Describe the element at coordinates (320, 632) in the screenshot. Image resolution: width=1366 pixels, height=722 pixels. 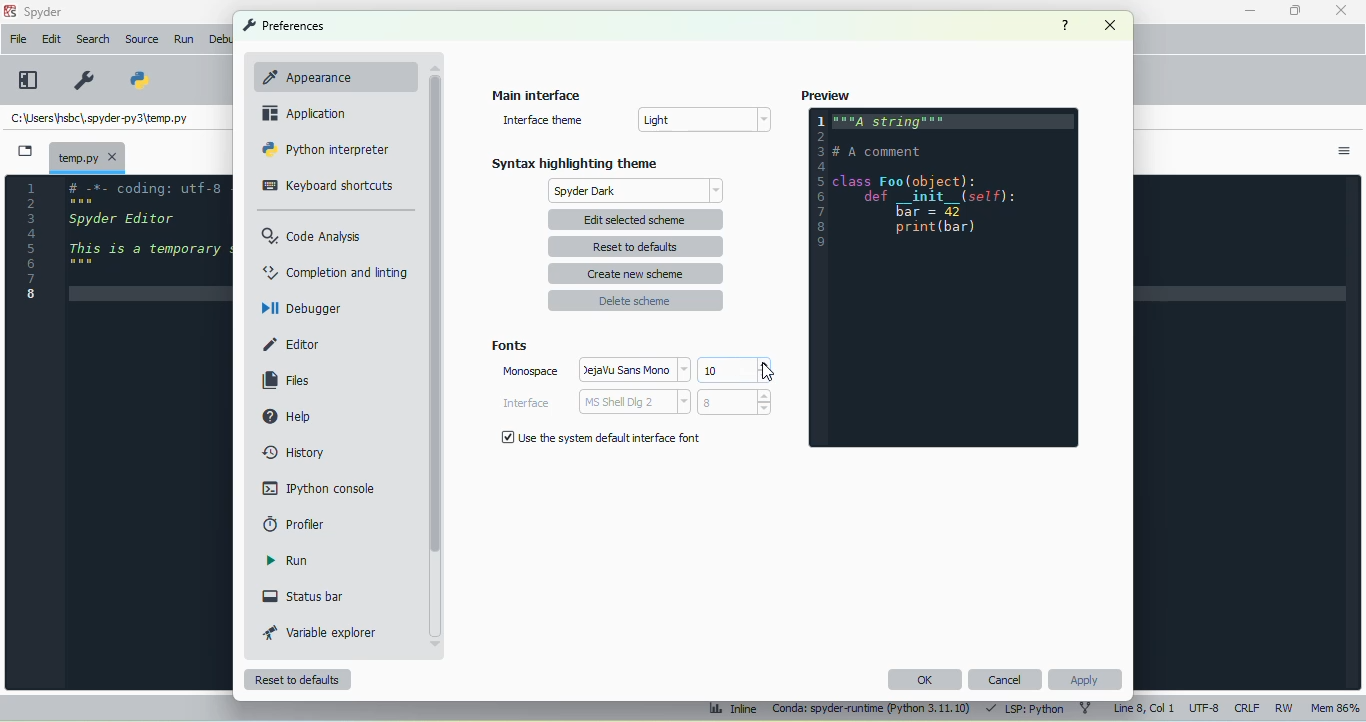
I see `variable explorer` at that location.